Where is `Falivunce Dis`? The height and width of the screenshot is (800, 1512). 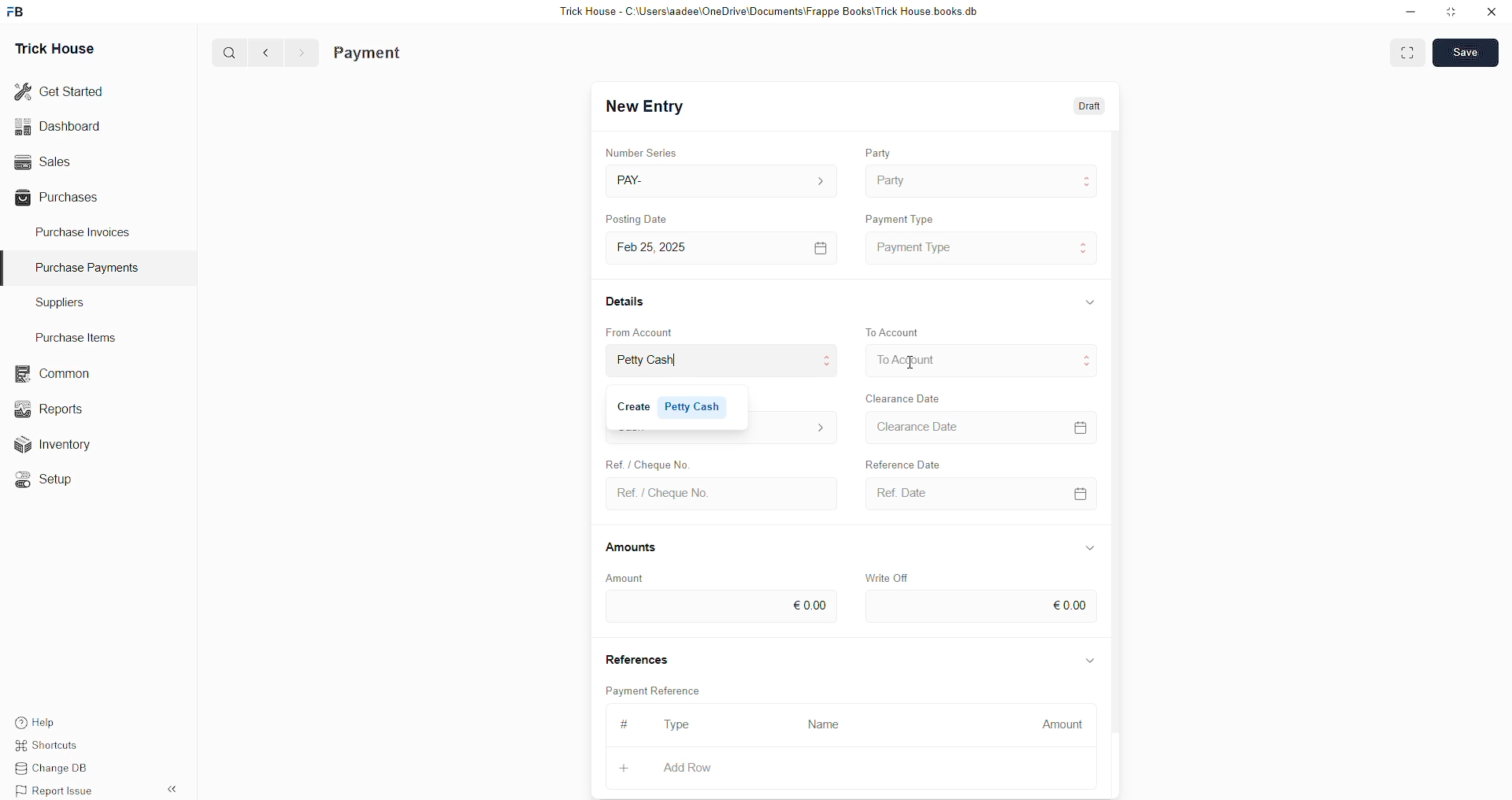 Falivunce Dis is located at coordinates (914, 461).